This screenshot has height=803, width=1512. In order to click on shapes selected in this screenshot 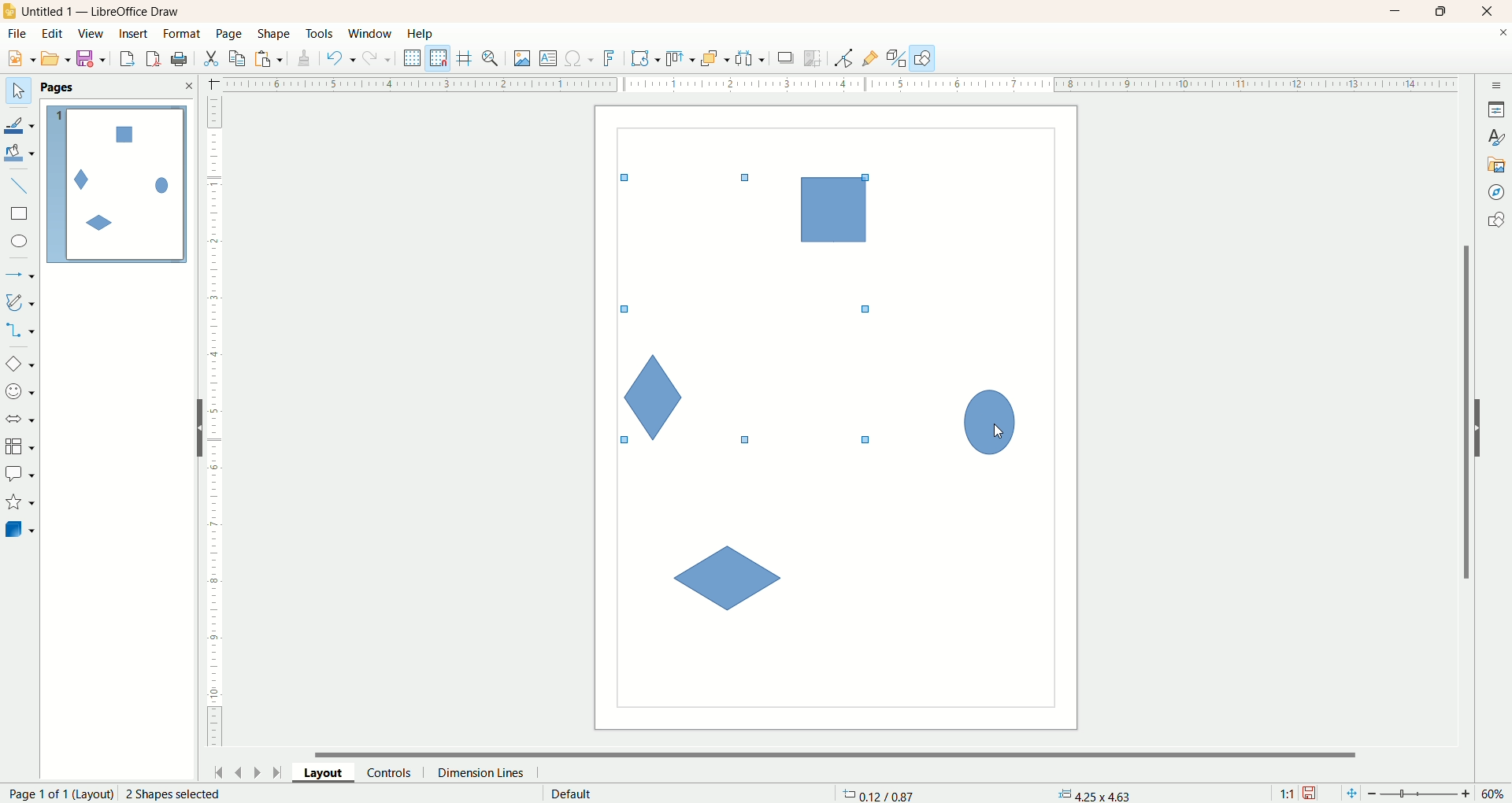, I will do `click(749, 299)`.